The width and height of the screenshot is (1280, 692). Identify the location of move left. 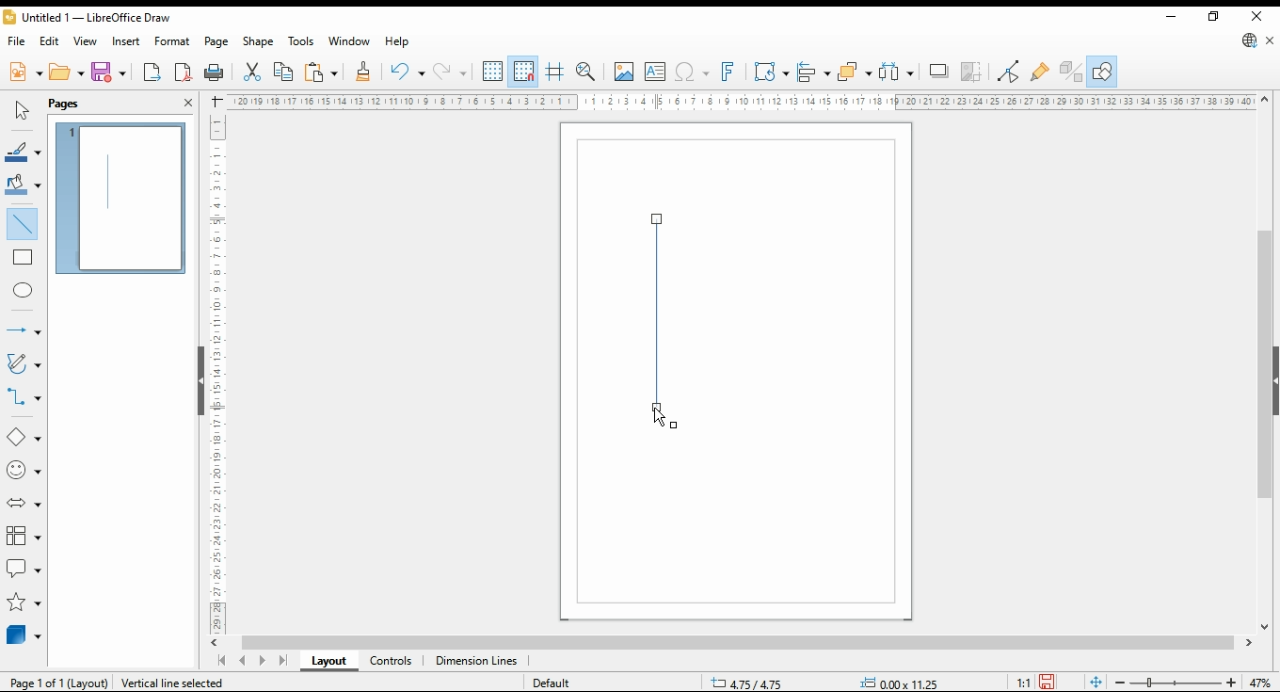
(217, 643).